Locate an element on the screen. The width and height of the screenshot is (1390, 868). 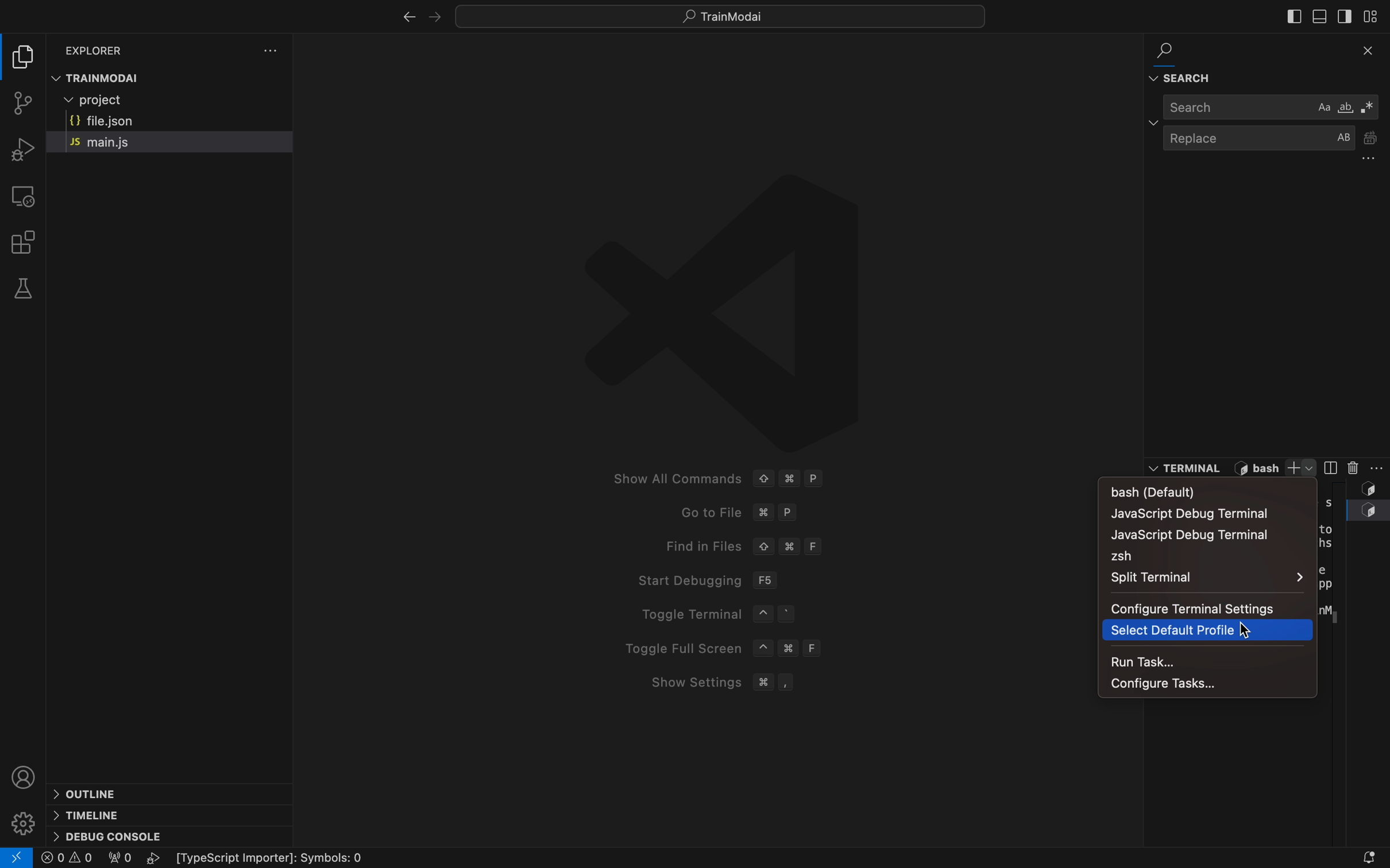
Logo is located at coordinates (725, 307).